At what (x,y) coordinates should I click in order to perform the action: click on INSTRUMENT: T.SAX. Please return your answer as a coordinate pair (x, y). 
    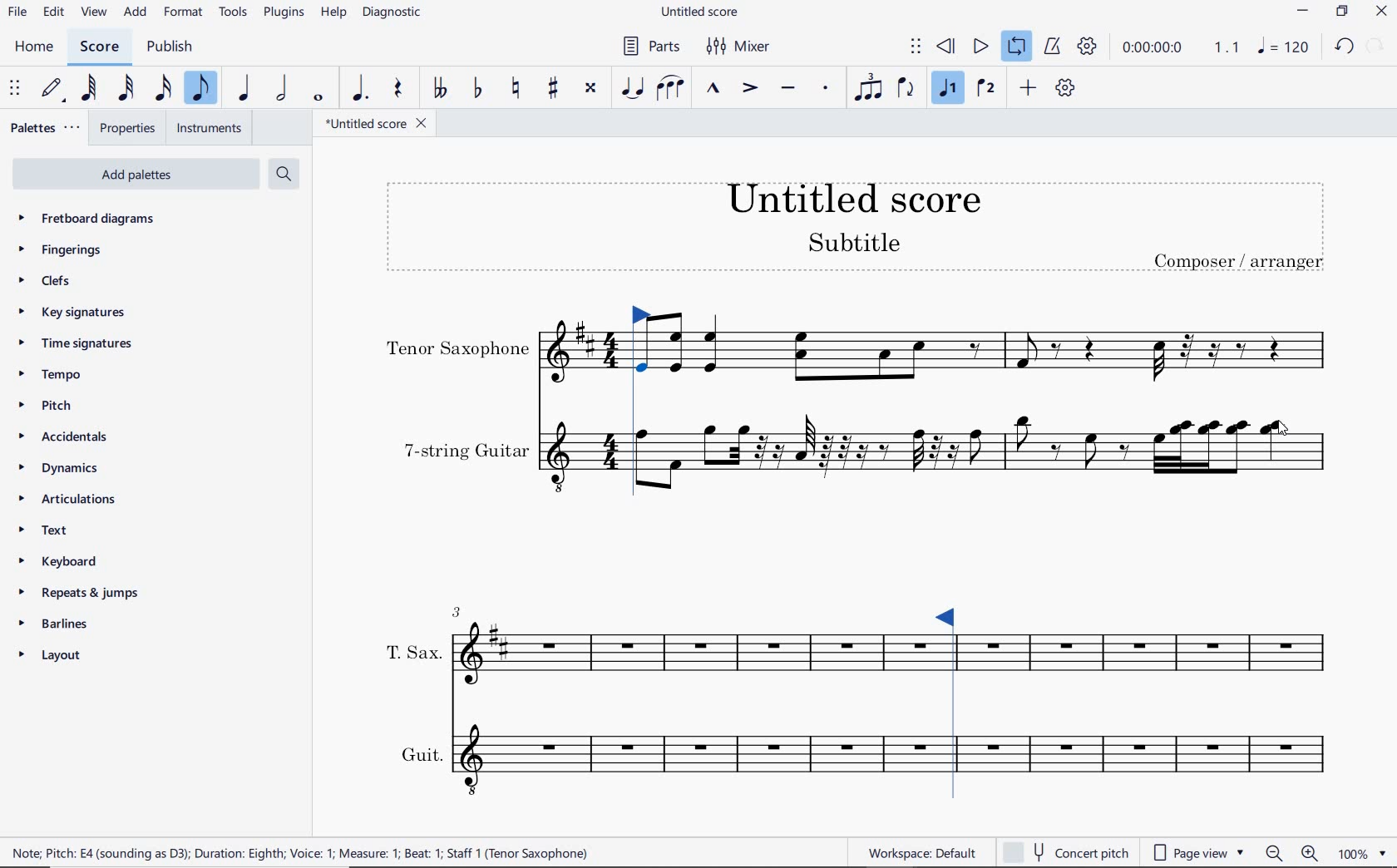
    Looking at the image, I should click on (1164, 643).